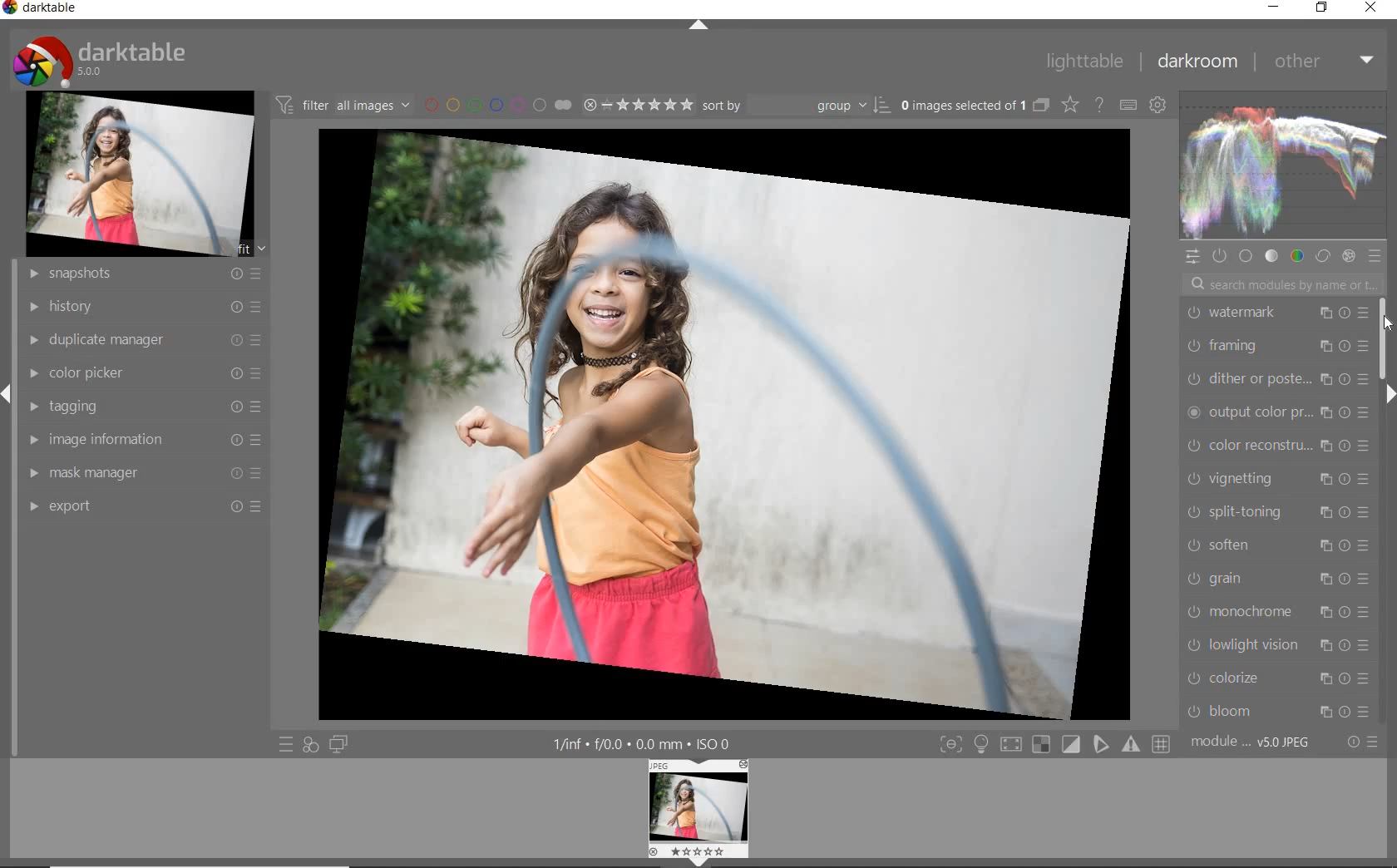  Describe the element at coordinates (1198, 60) in the screenshot. I see `darkroom` at that location.